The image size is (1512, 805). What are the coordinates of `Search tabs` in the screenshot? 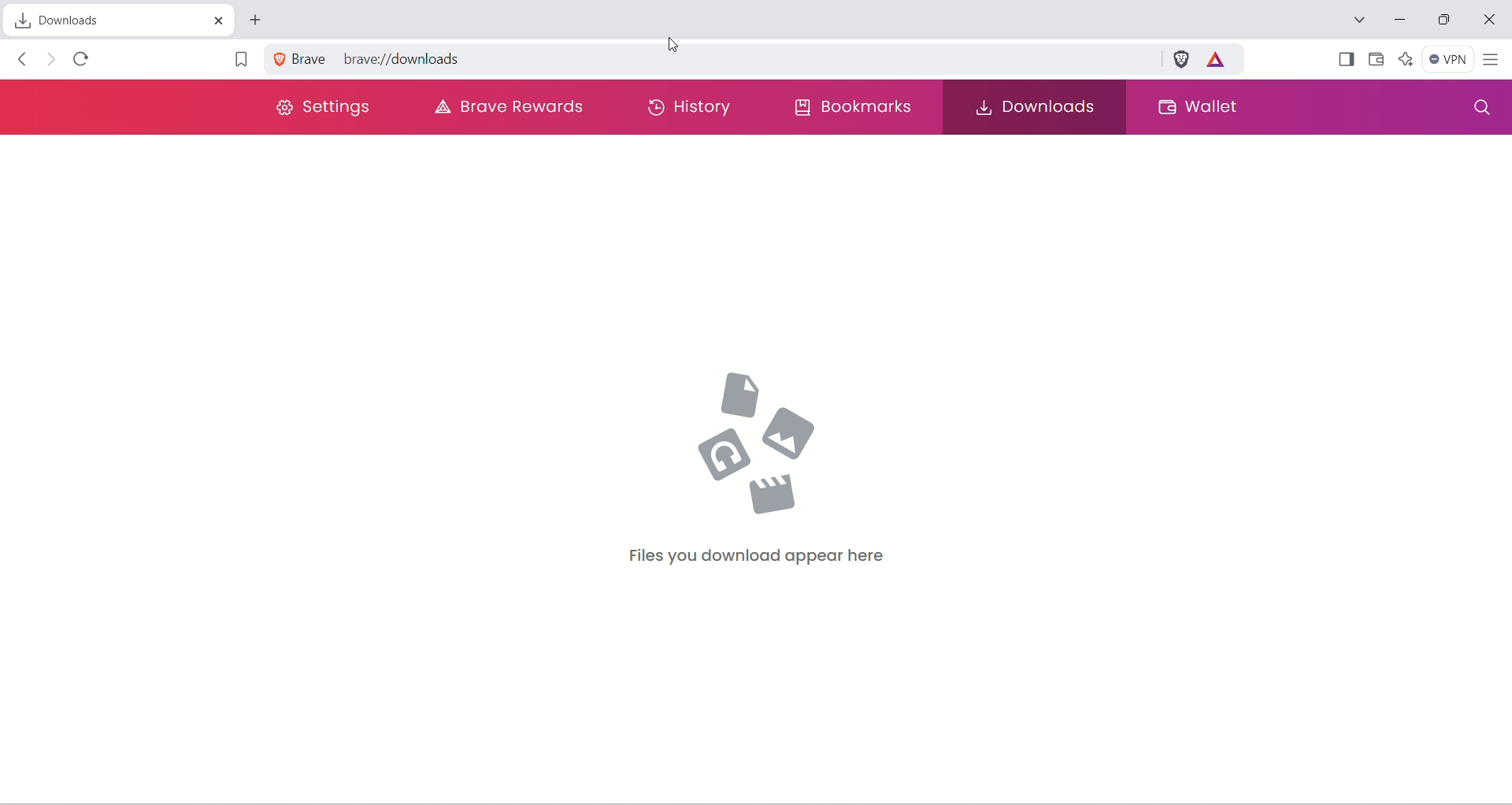 It's located at (1358, 17).